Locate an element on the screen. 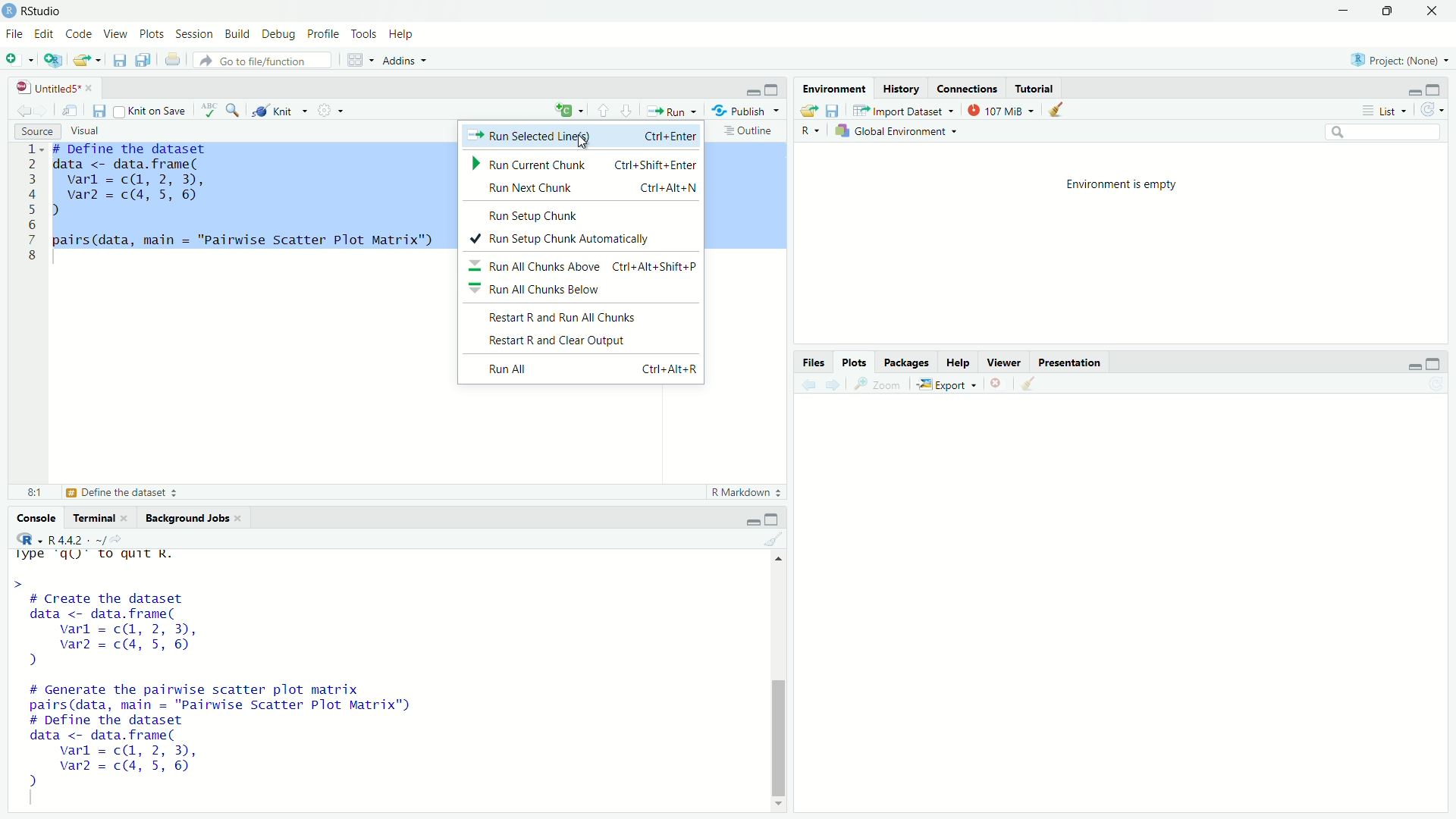  Edit is located at coordinates (45, 32).